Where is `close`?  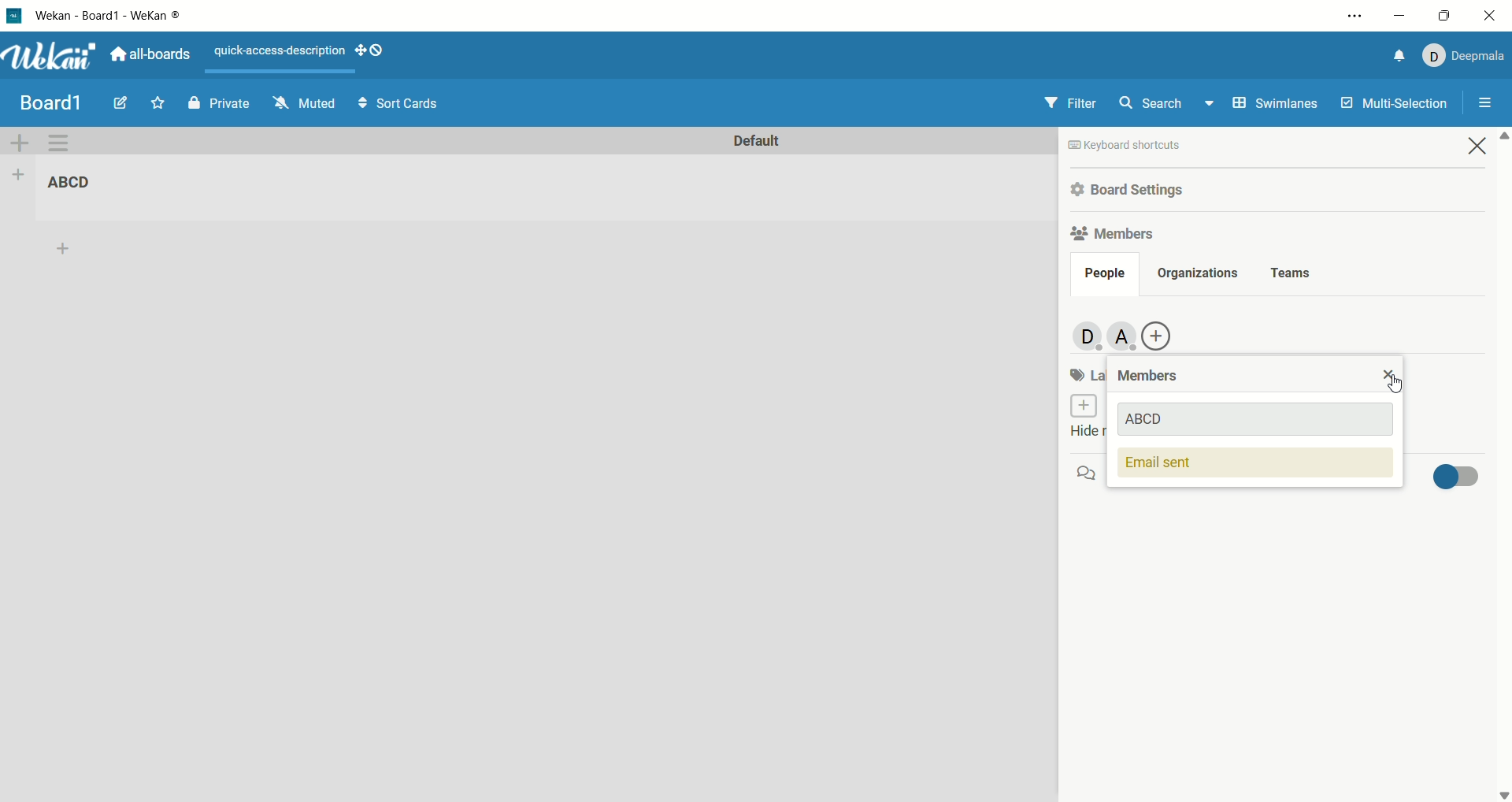 close is located at coordinates (1493, 16).